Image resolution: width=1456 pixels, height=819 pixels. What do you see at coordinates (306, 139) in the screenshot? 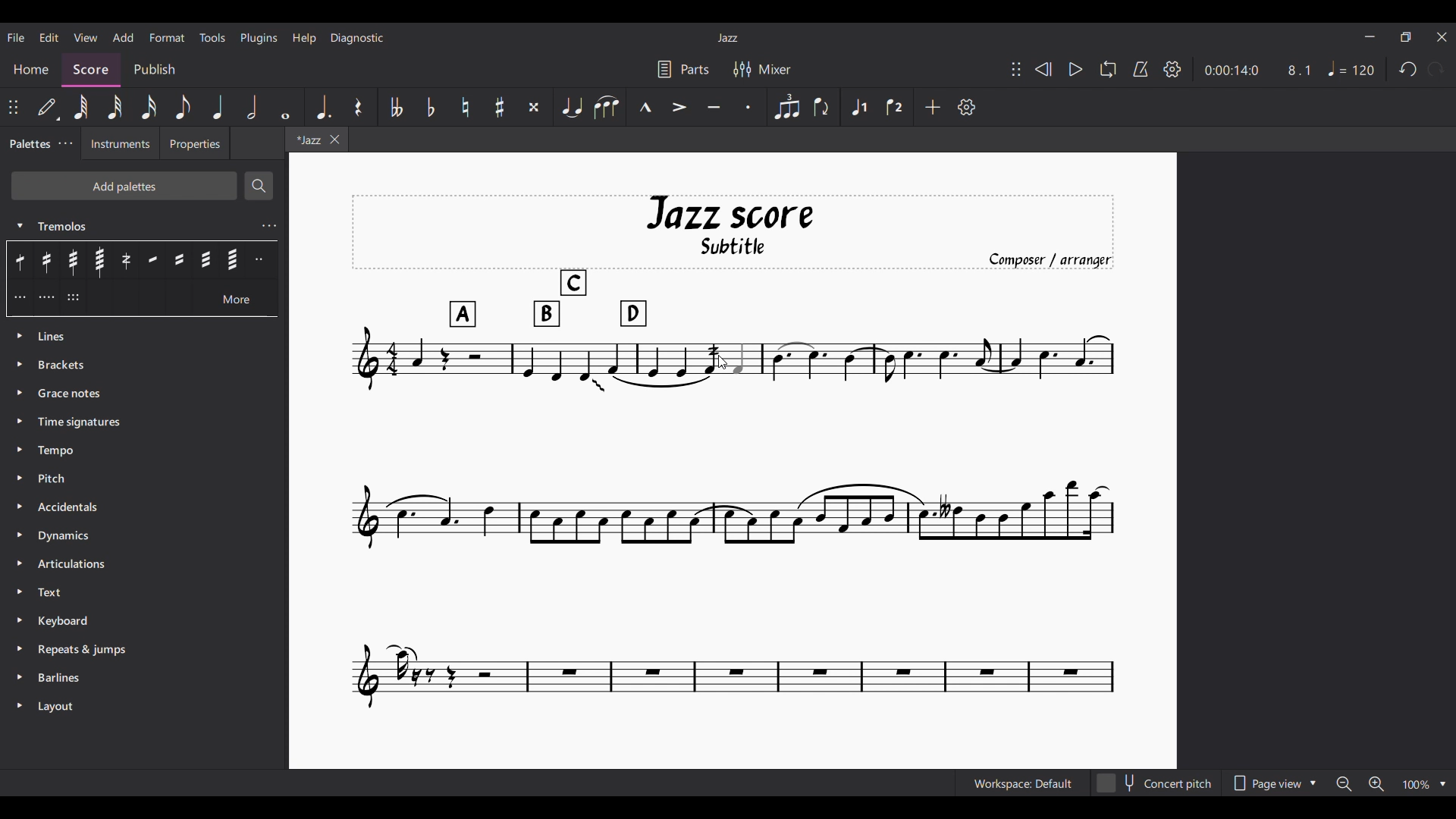
I see `*Jazz` at bounding box center [306, 139].